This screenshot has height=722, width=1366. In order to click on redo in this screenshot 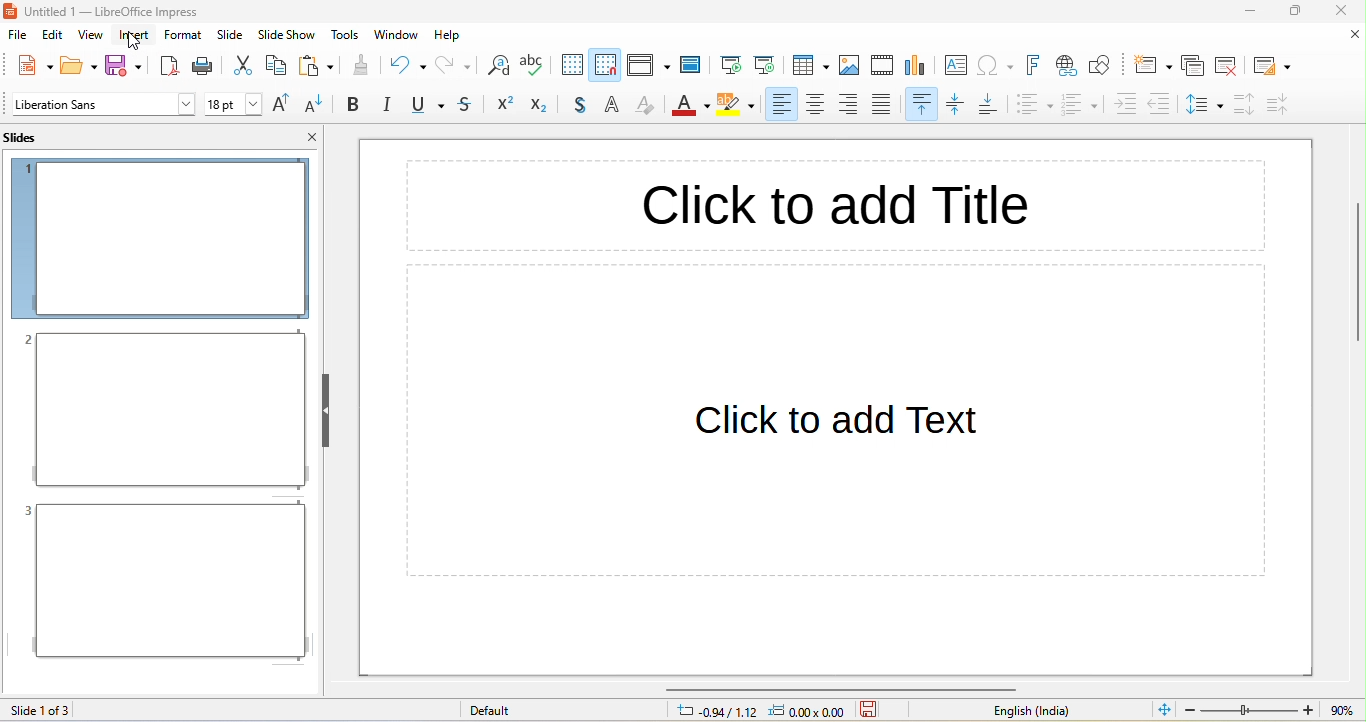, I will do `click(455, 65)`.